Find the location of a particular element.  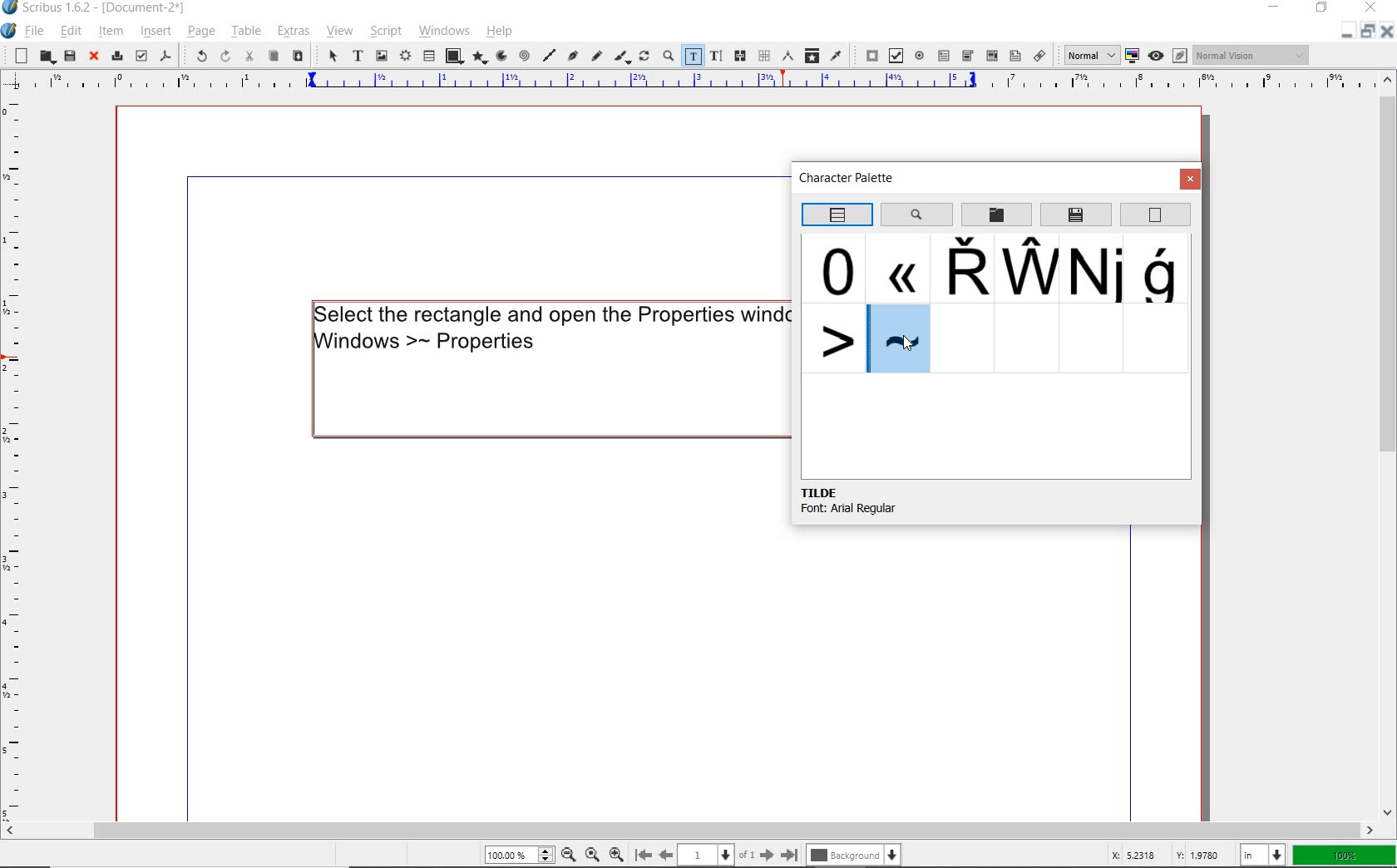

Unicode search is located at coordinates (916, 214).